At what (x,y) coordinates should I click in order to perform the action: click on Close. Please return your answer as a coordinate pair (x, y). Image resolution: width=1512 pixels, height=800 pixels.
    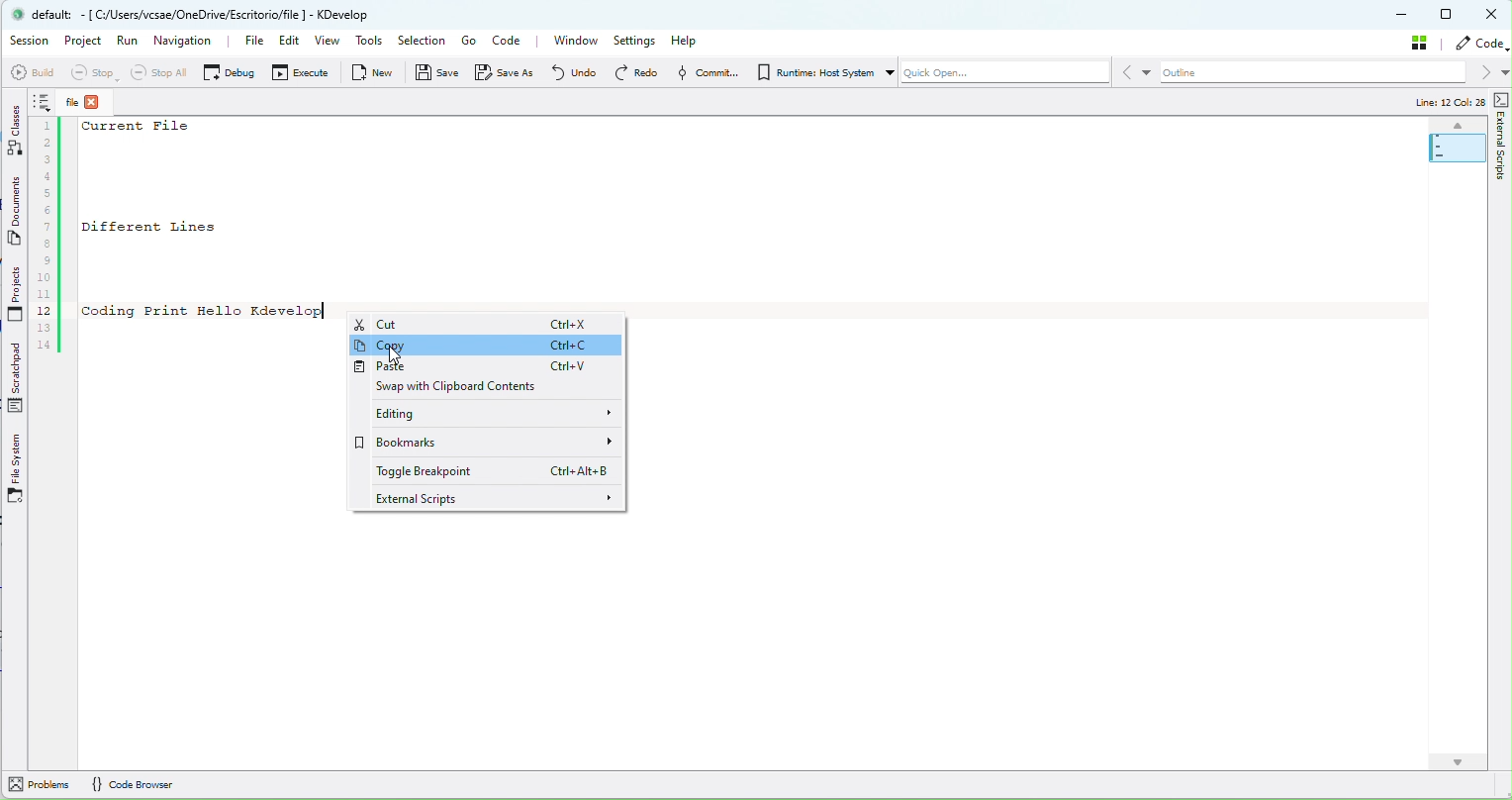
    Looking at the image, I should click on (1493, 15).